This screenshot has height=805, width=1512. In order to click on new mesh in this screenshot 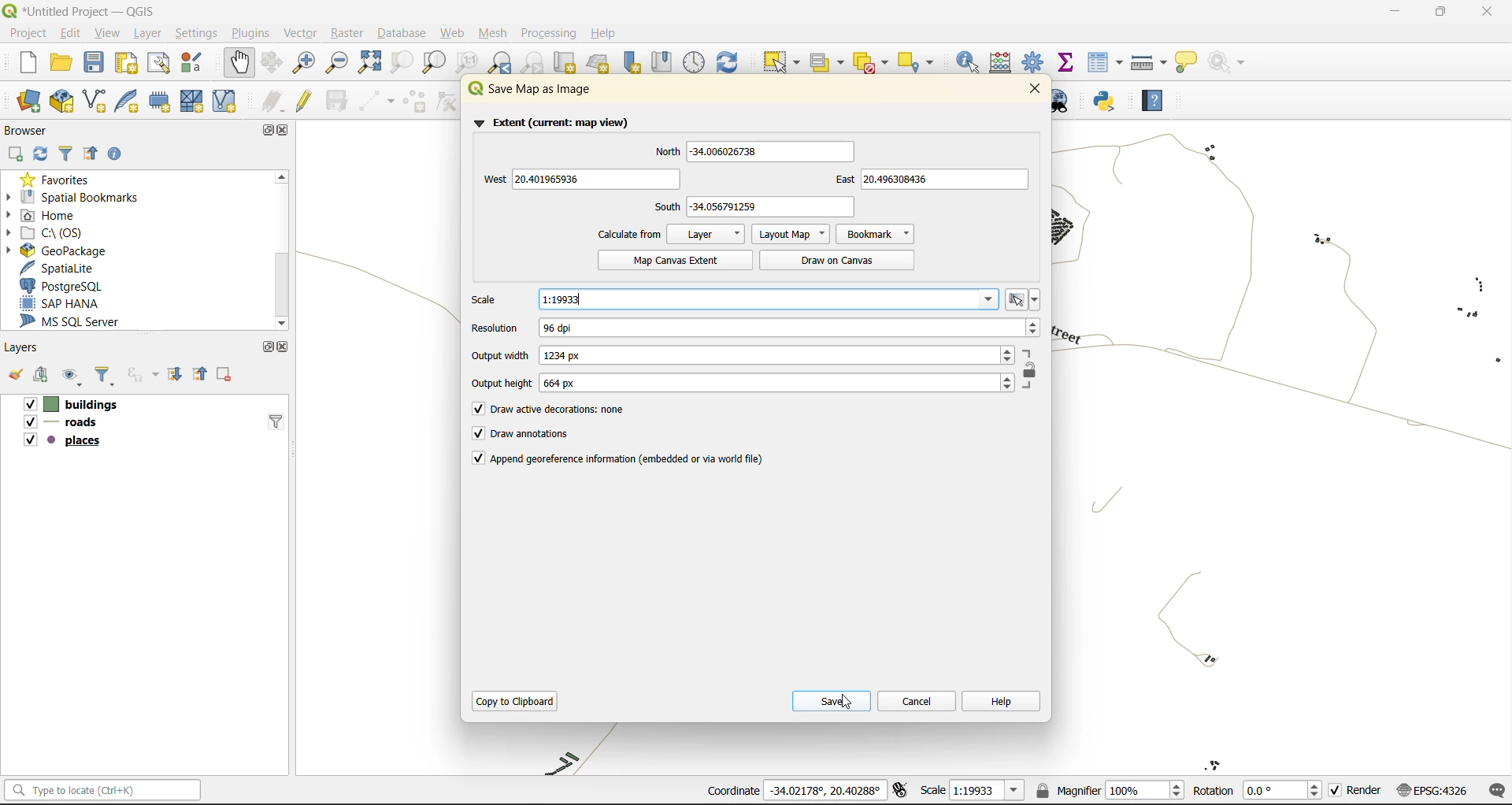, I will do `click(194, 102)`.